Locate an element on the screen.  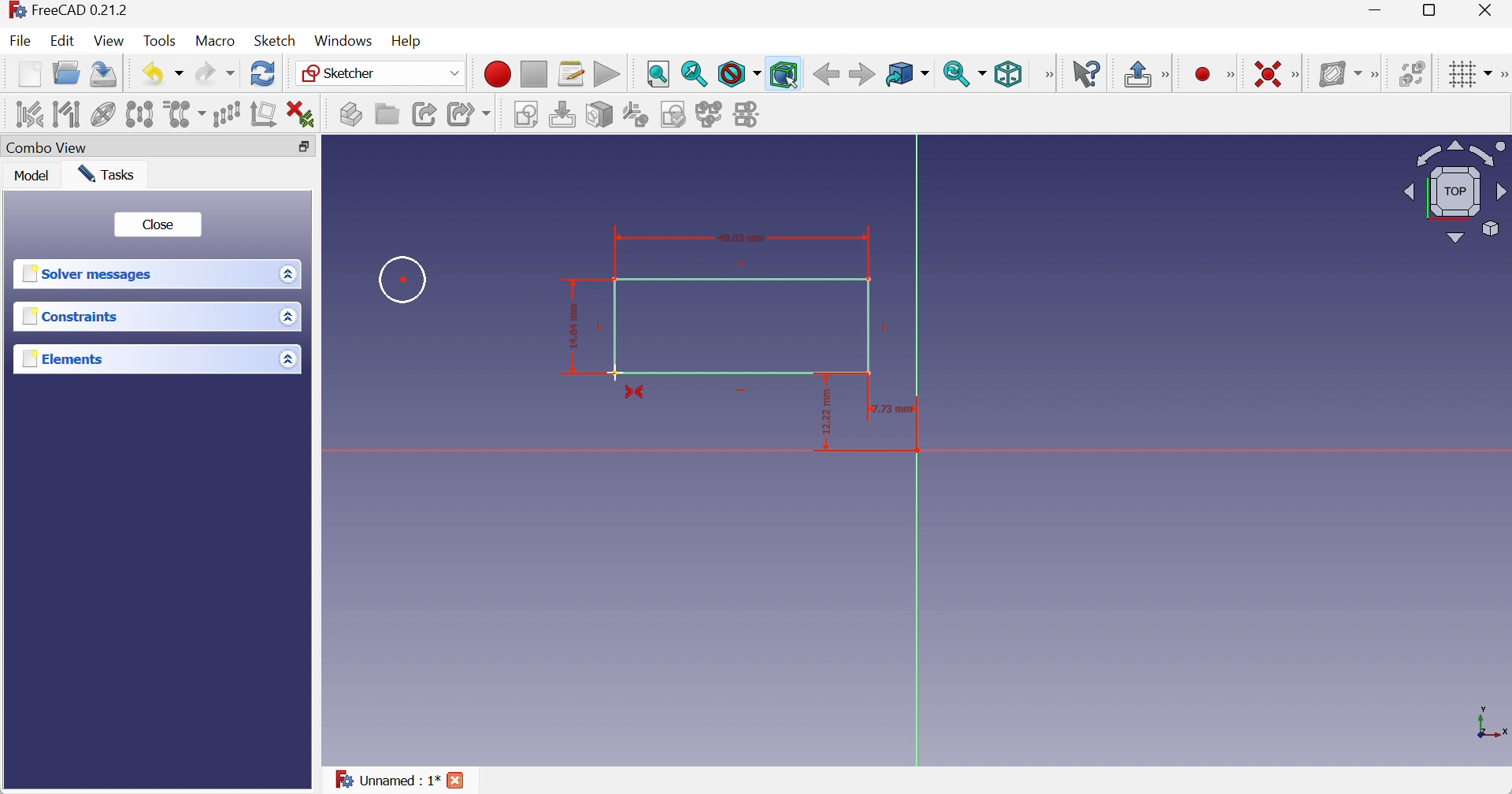
Bounding box is located at coordinates (784, 74).